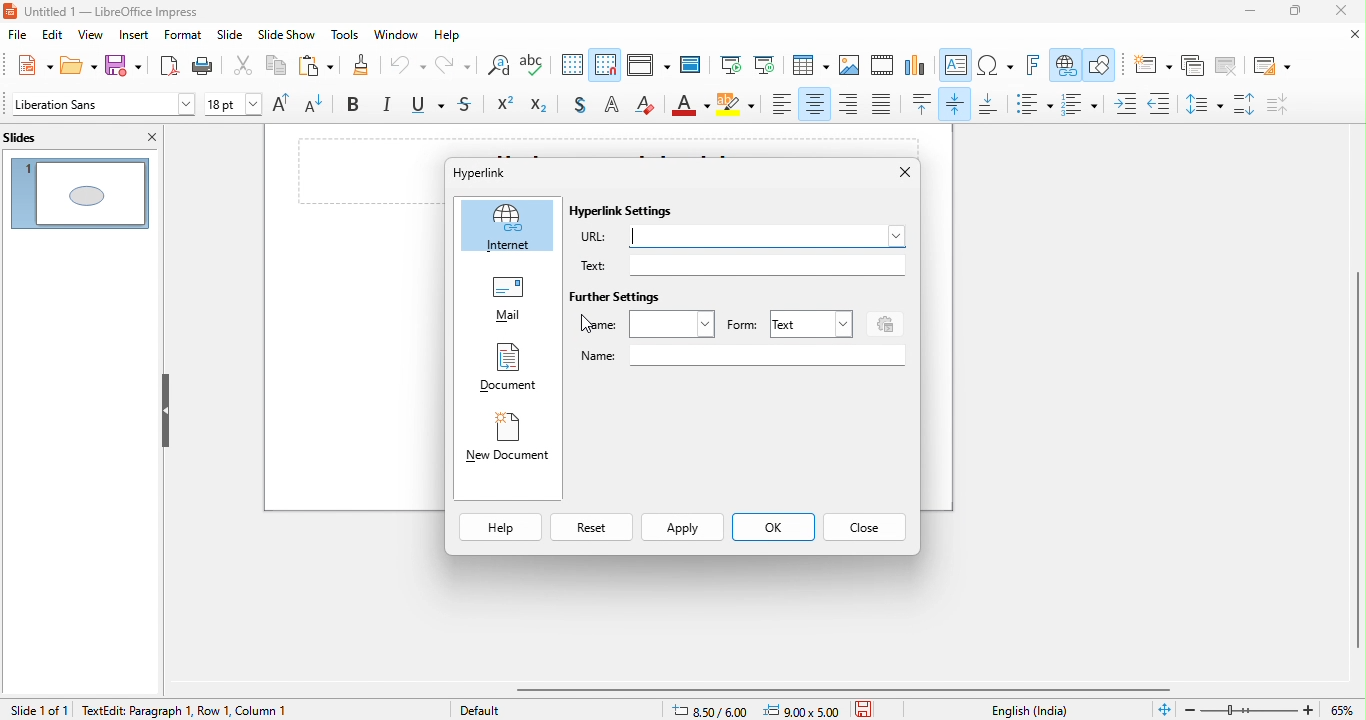 This screenshot has height=720, width=1366. I want to click on close, so click(148, 137).